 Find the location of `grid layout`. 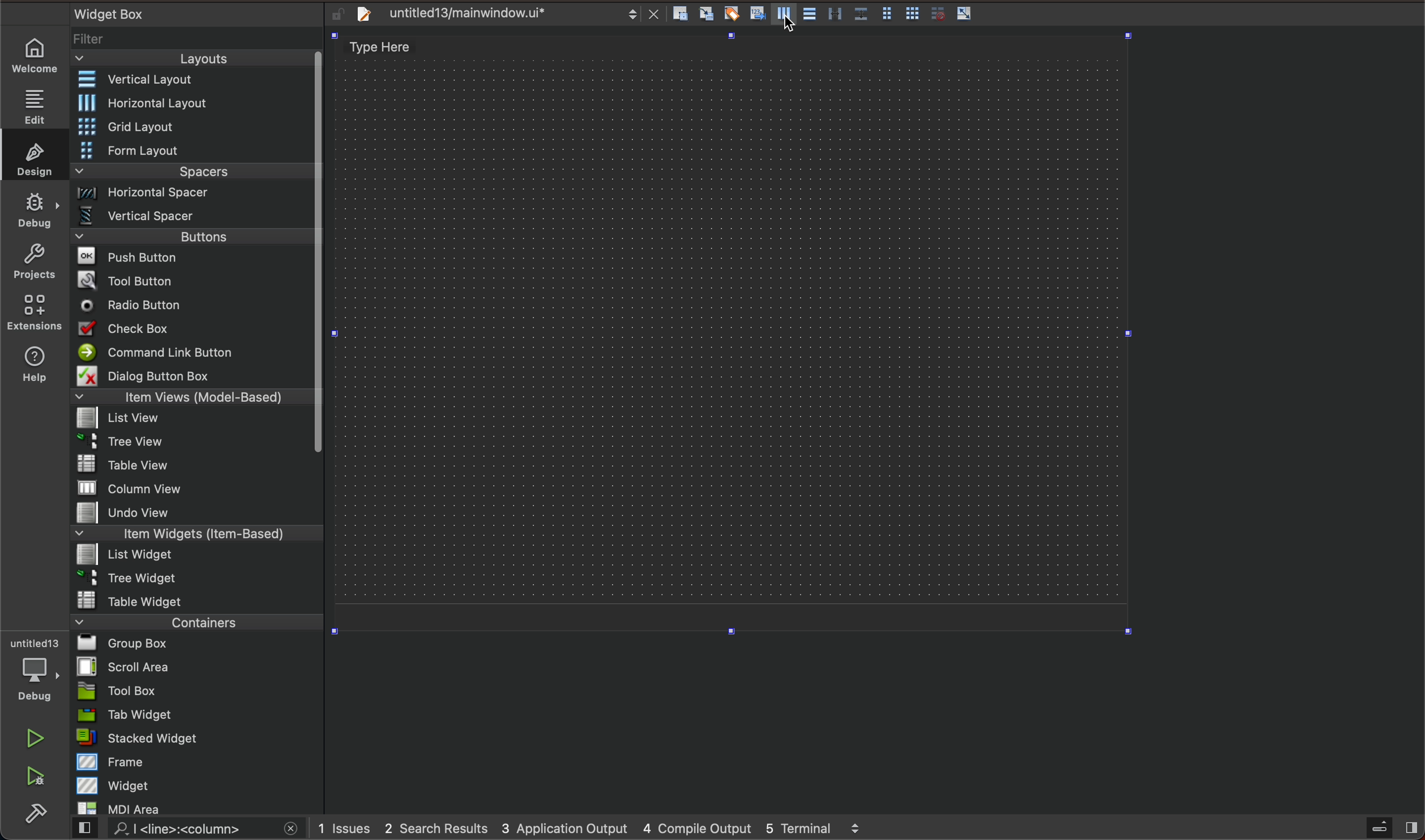

grid layout is located at coordinates (198, 126).